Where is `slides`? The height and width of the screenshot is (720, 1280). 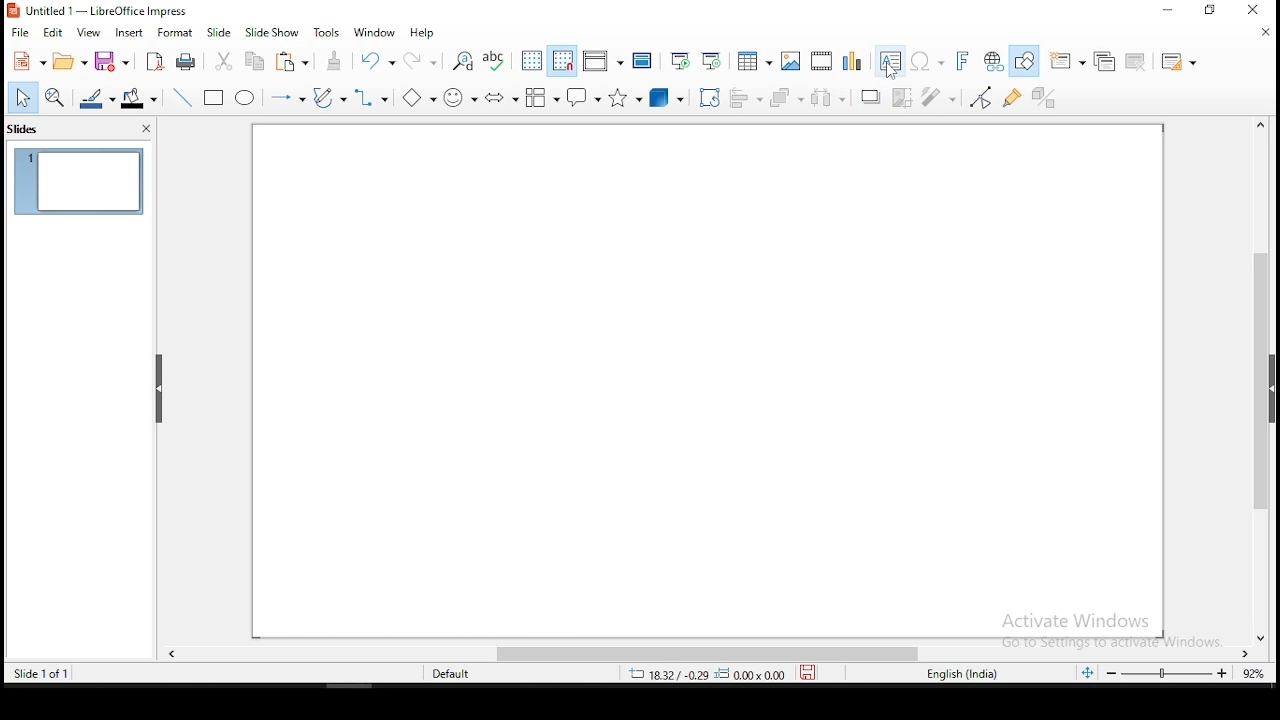 slides is located at coordinates (26, 131).